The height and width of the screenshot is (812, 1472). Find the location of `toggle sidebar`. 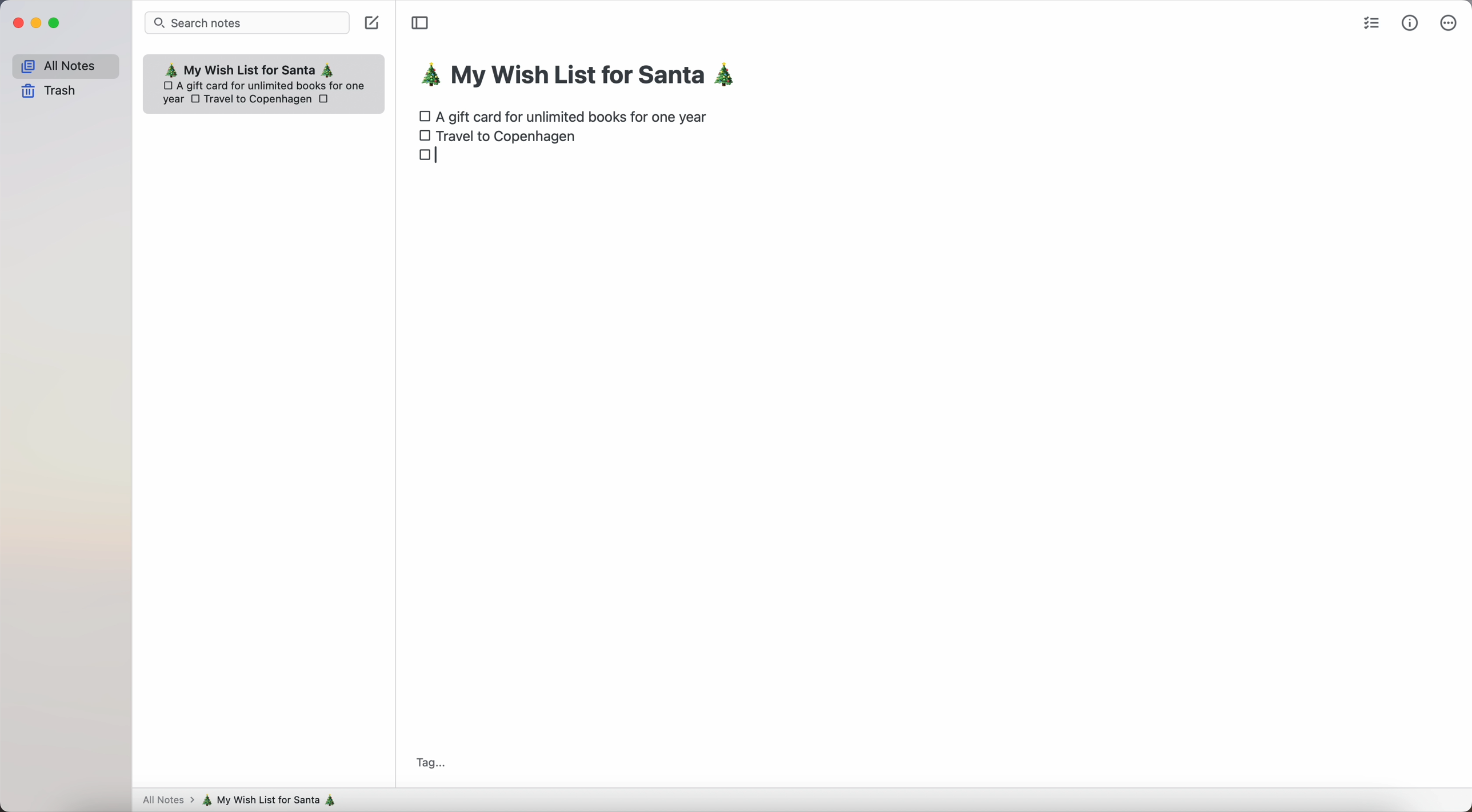

toggle sidebar is located at coordinates (419, 23).